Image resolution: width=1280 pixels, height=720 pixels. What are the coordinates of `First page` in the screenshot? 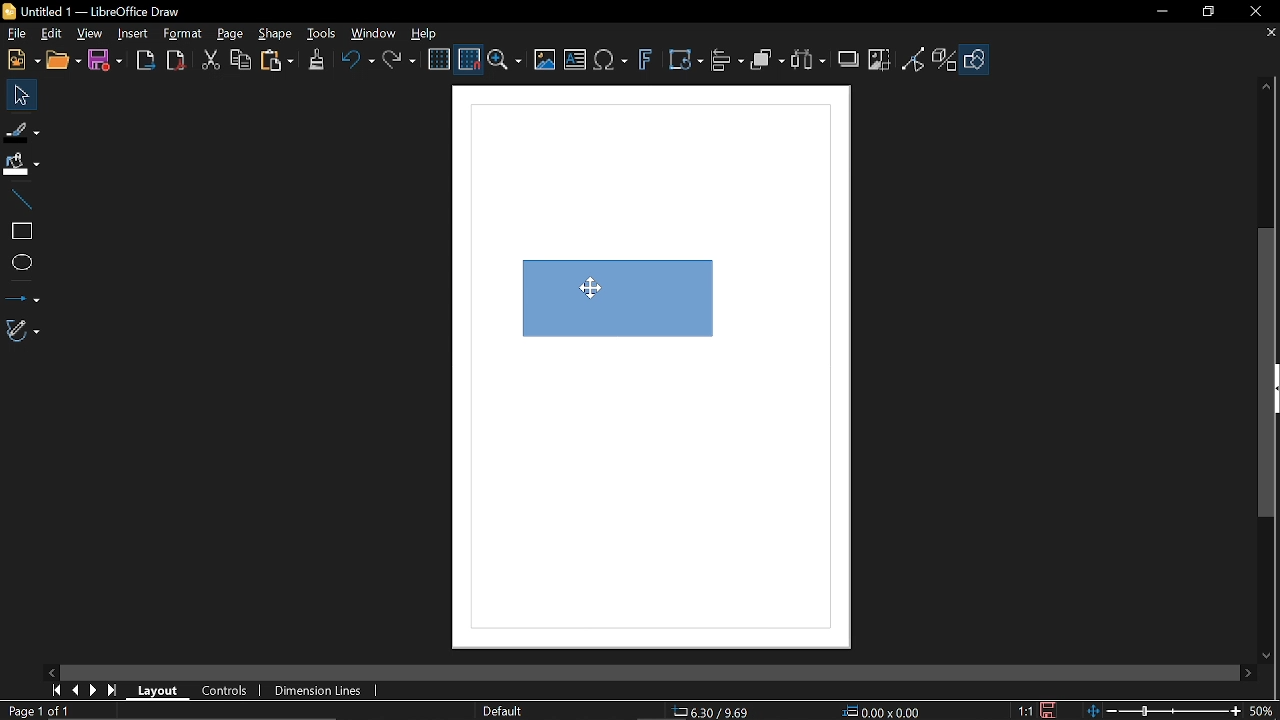 It's located at (53, 691).